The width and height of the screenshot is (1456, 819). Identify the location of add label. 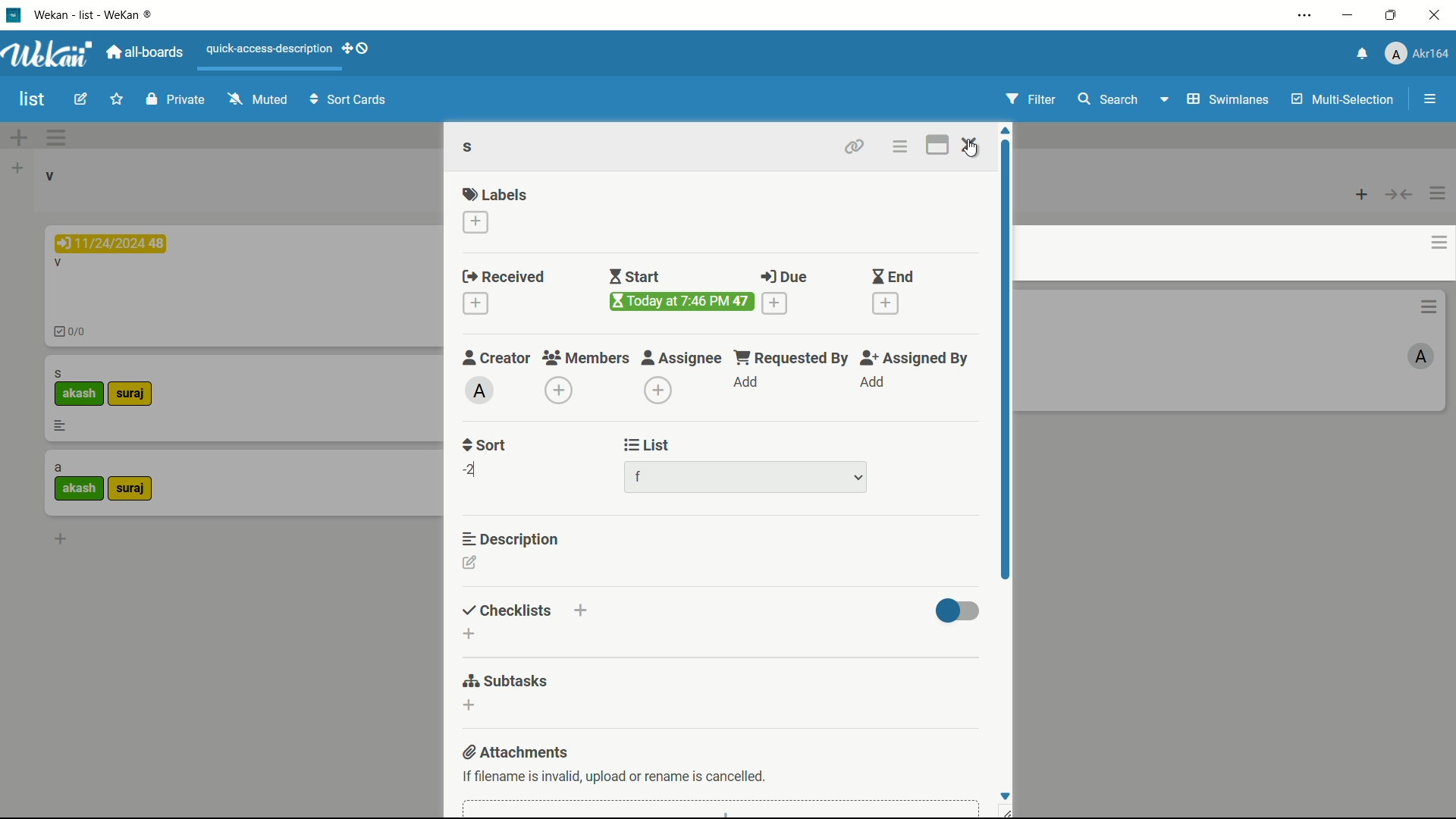
(476, 221).